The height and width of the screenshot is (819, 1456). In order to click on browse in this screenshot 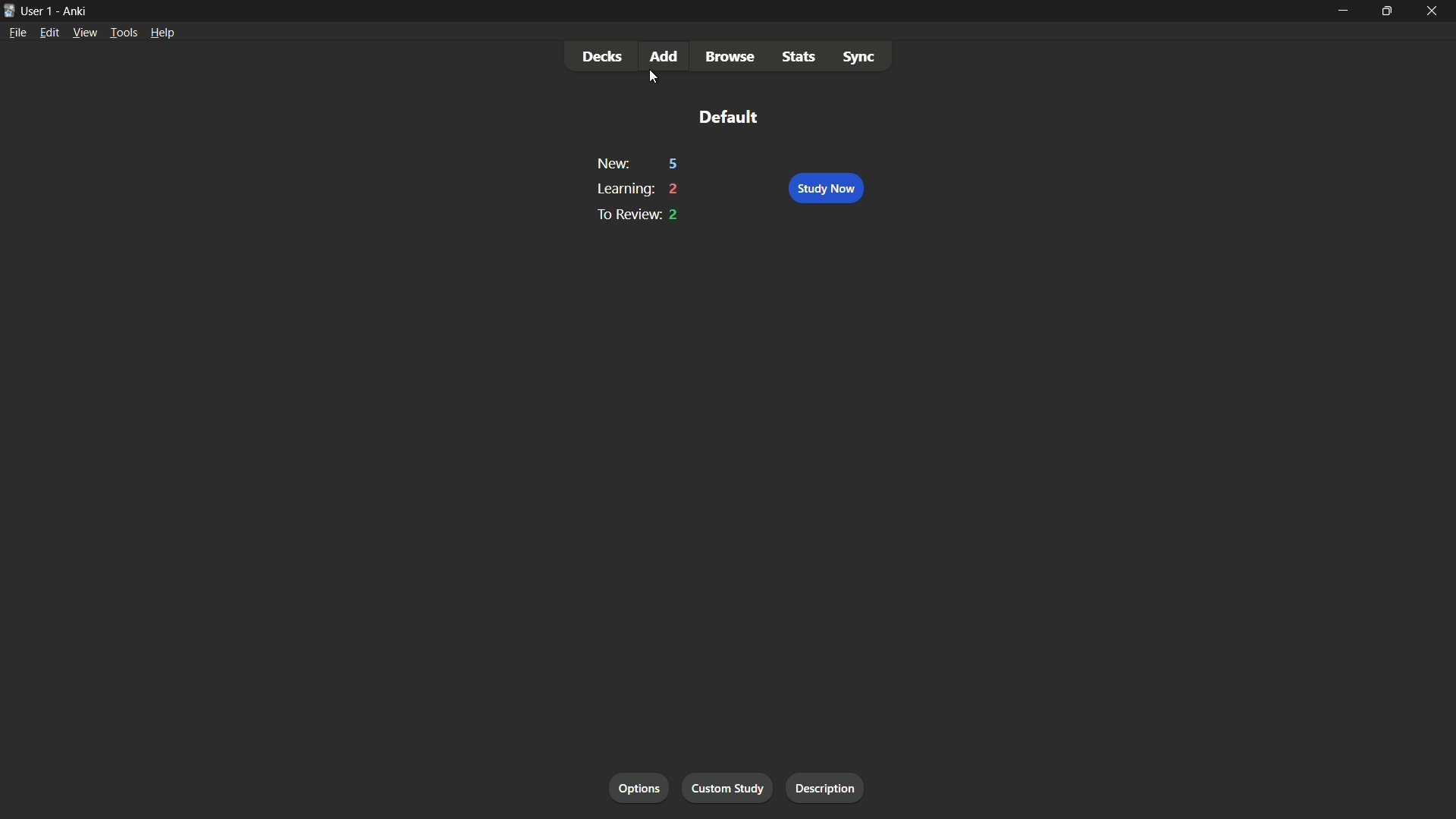, I will do `click(733, 57)`.